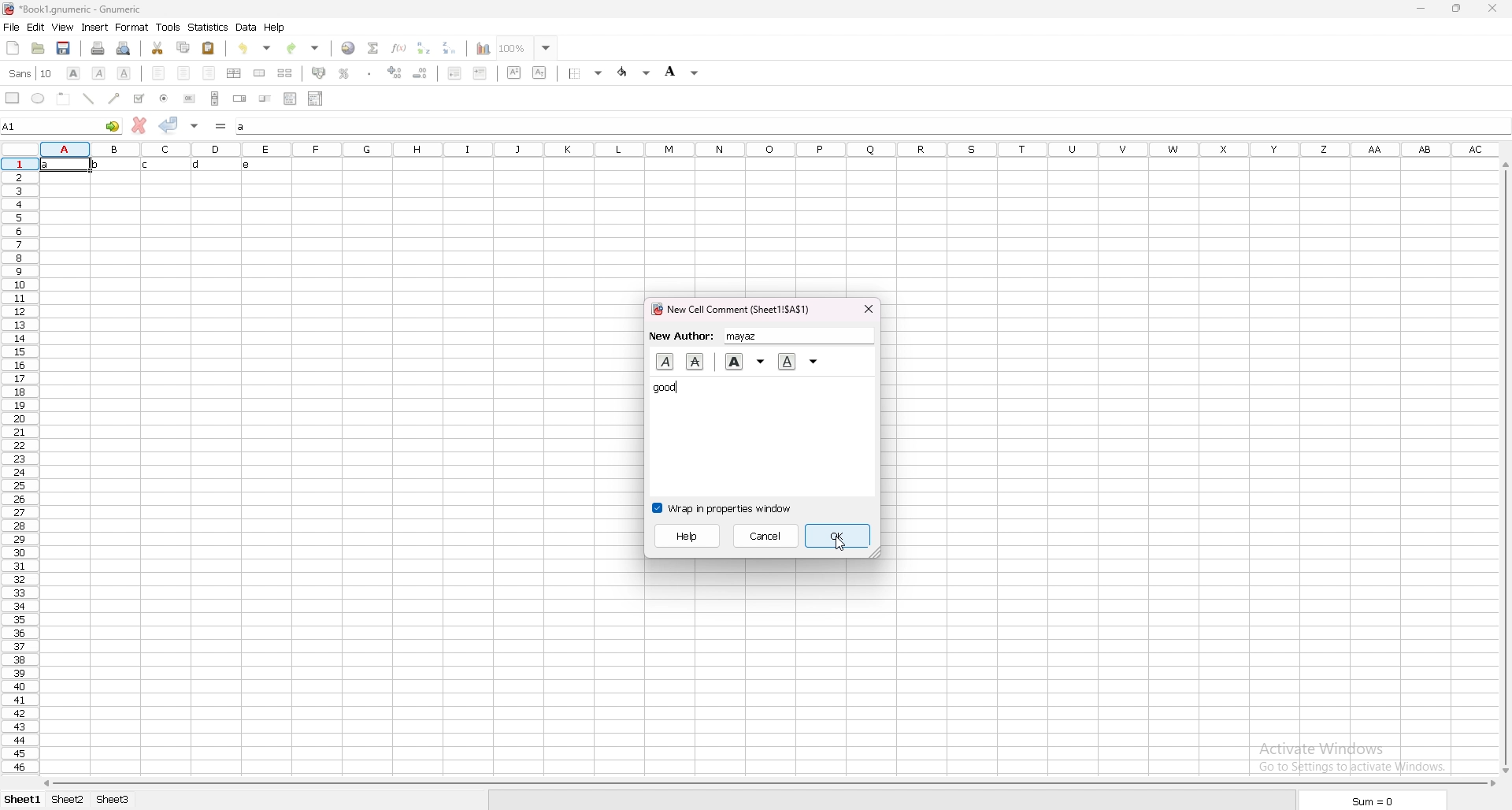 The width and height of the screenshot is (1512, 810). Describe the element at coordinates (424, 49) in the screenshot. I see `sort ascending` at that location.